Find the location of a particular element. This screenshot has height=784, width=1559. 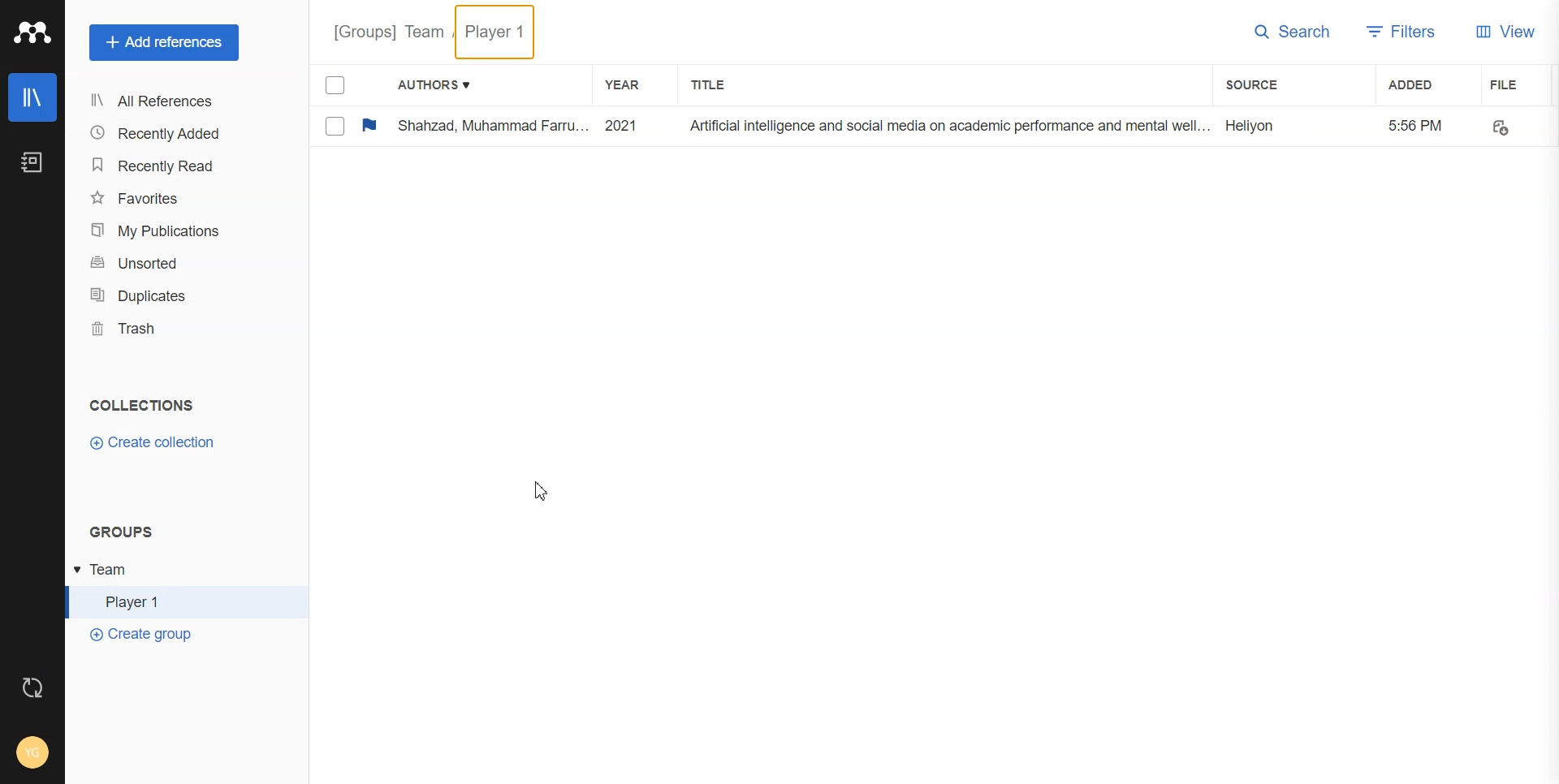

Flagged reference is located at coordinates (369, 124).